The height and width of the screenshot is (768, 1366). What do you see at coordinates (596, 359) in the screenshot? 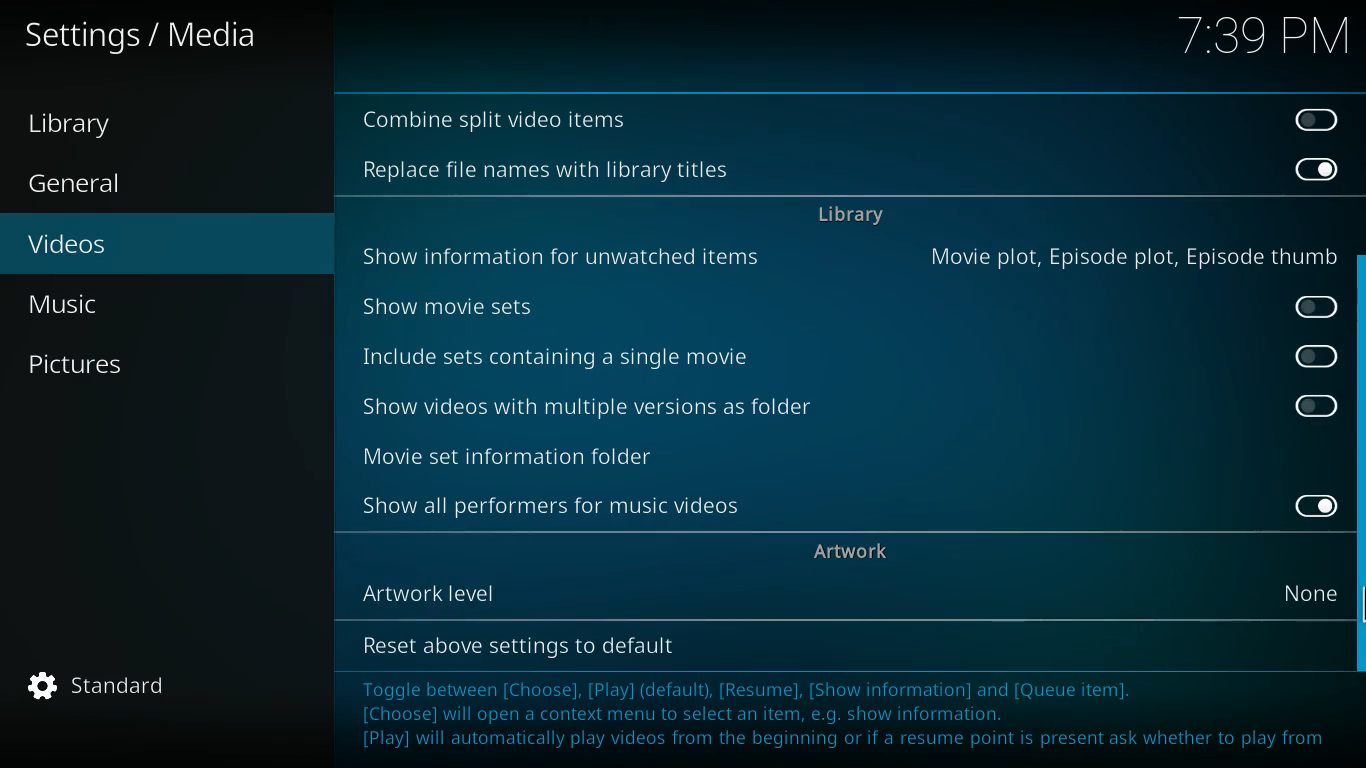
I see `include sets` at bounding box center [596, 359].